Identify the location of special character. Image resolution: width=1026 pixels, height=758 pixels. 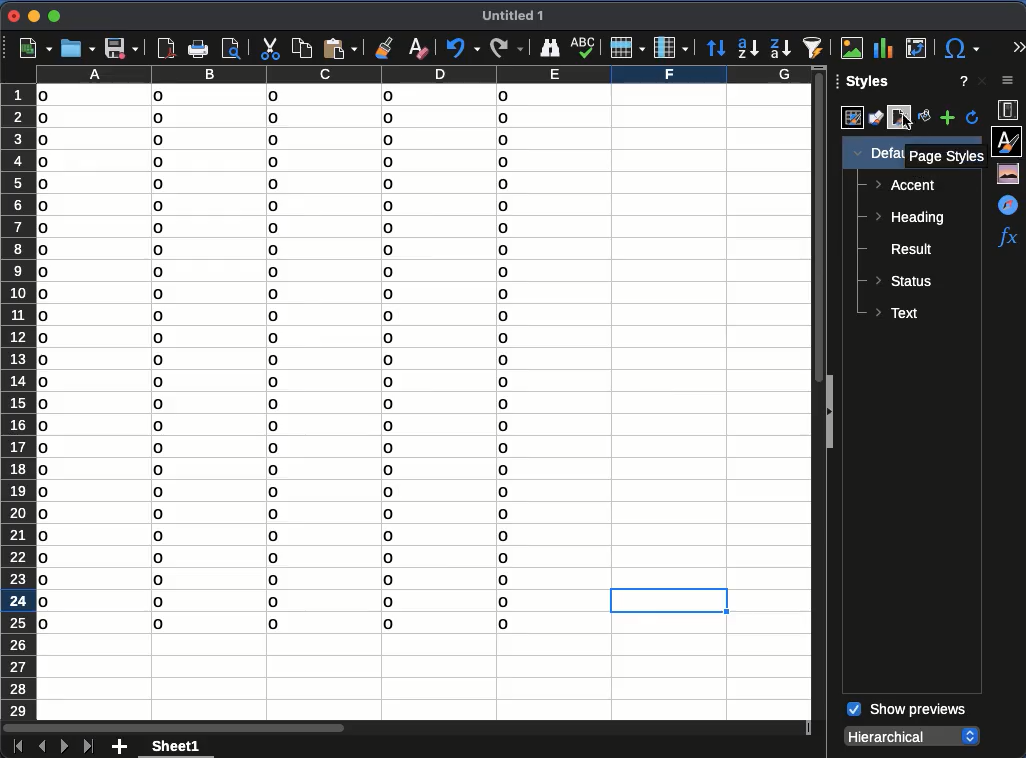
(961, 48).